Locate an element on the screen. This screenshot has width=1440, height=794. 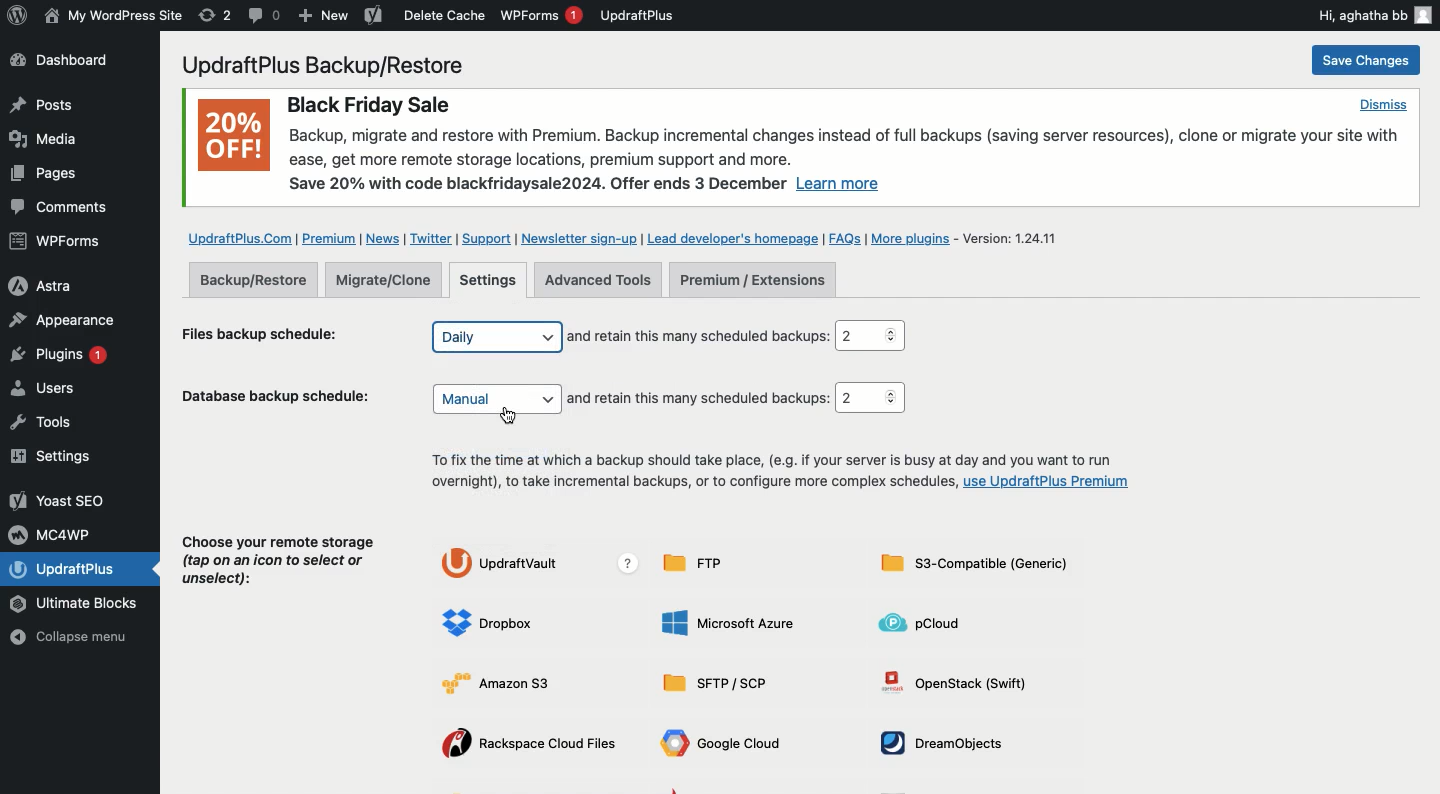
Posts is located at coordinates (41, 177).